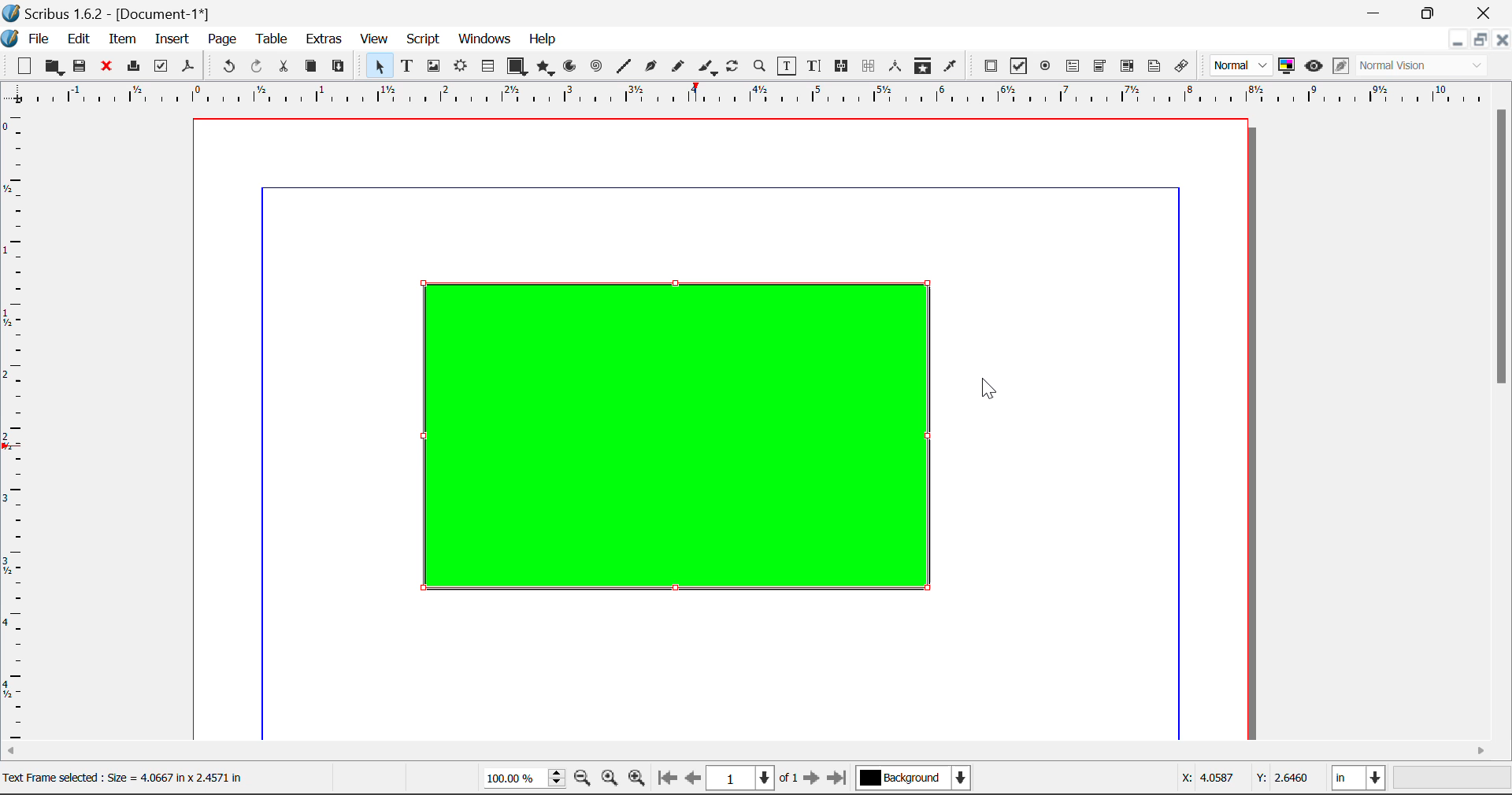 The image size is (1512, 795). What do you see at coordinates (610, 780) in the screenshot?
I see `Zoom to 100%` at bounding box center [610, 780].